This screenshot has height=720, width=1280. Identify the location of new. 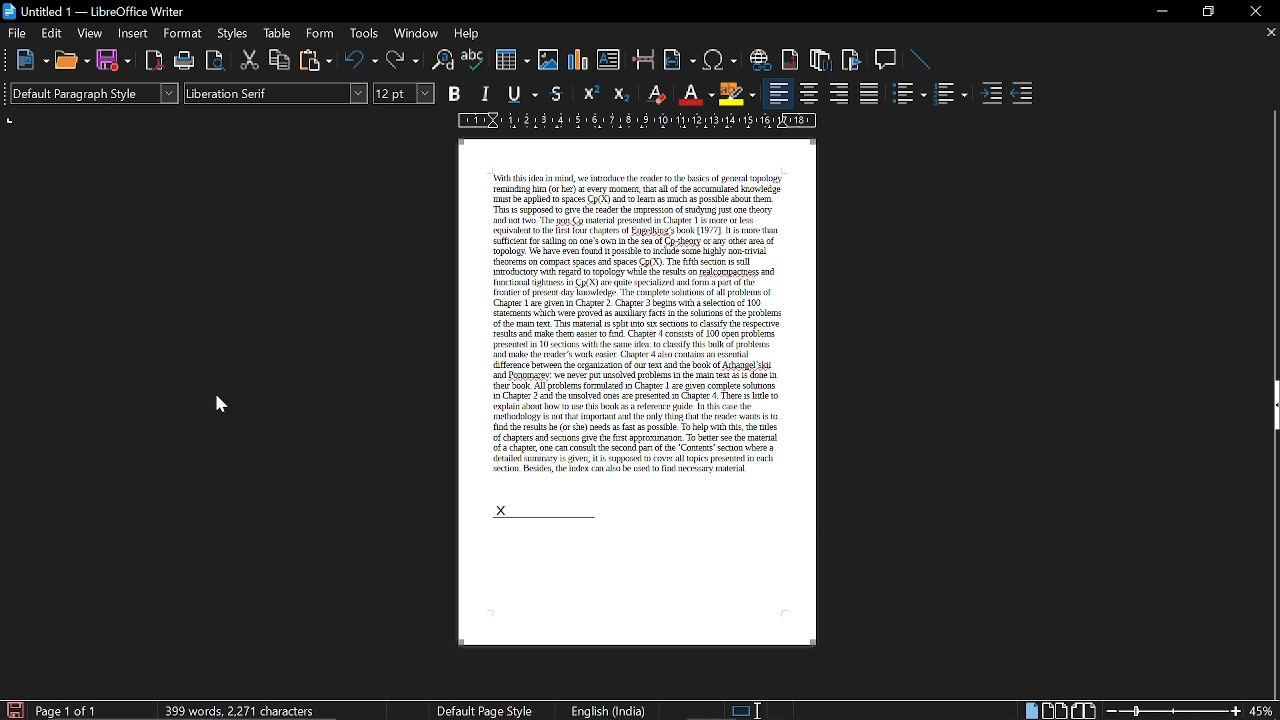
(24, 59).